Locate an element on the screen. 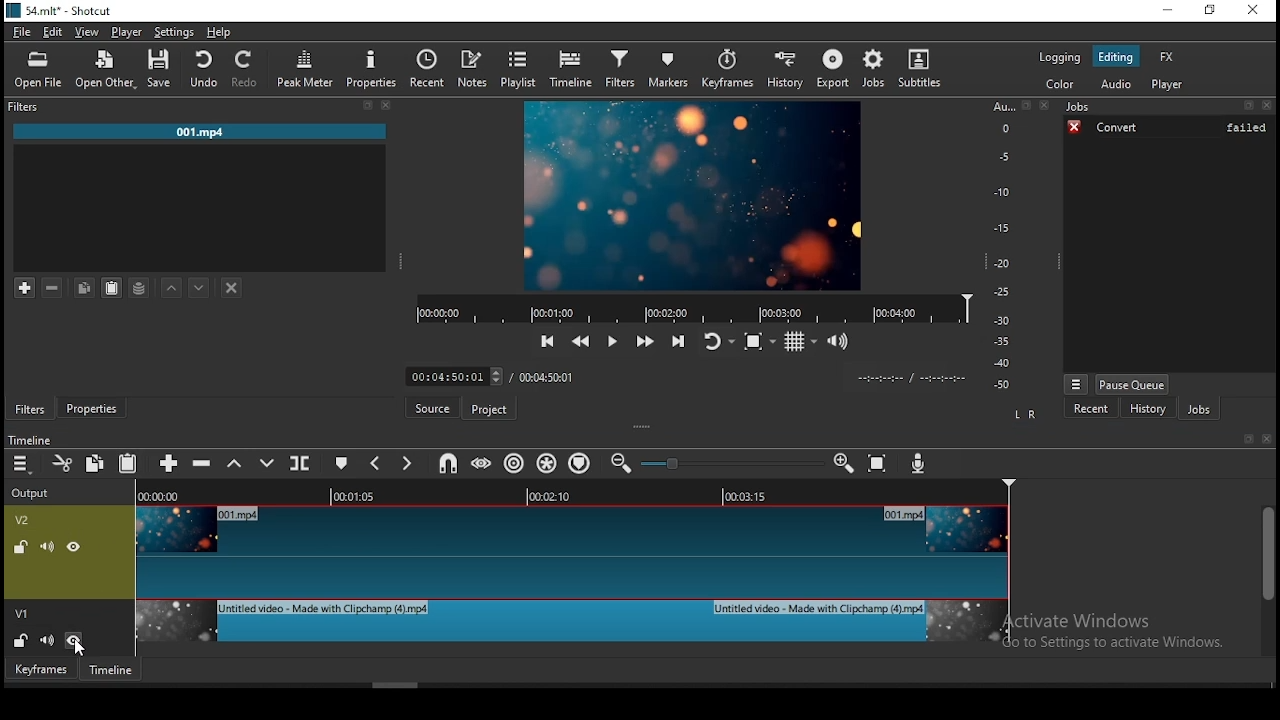 This screenshot has width=1280, height=720. recent is located at coordinates (1092, 409).